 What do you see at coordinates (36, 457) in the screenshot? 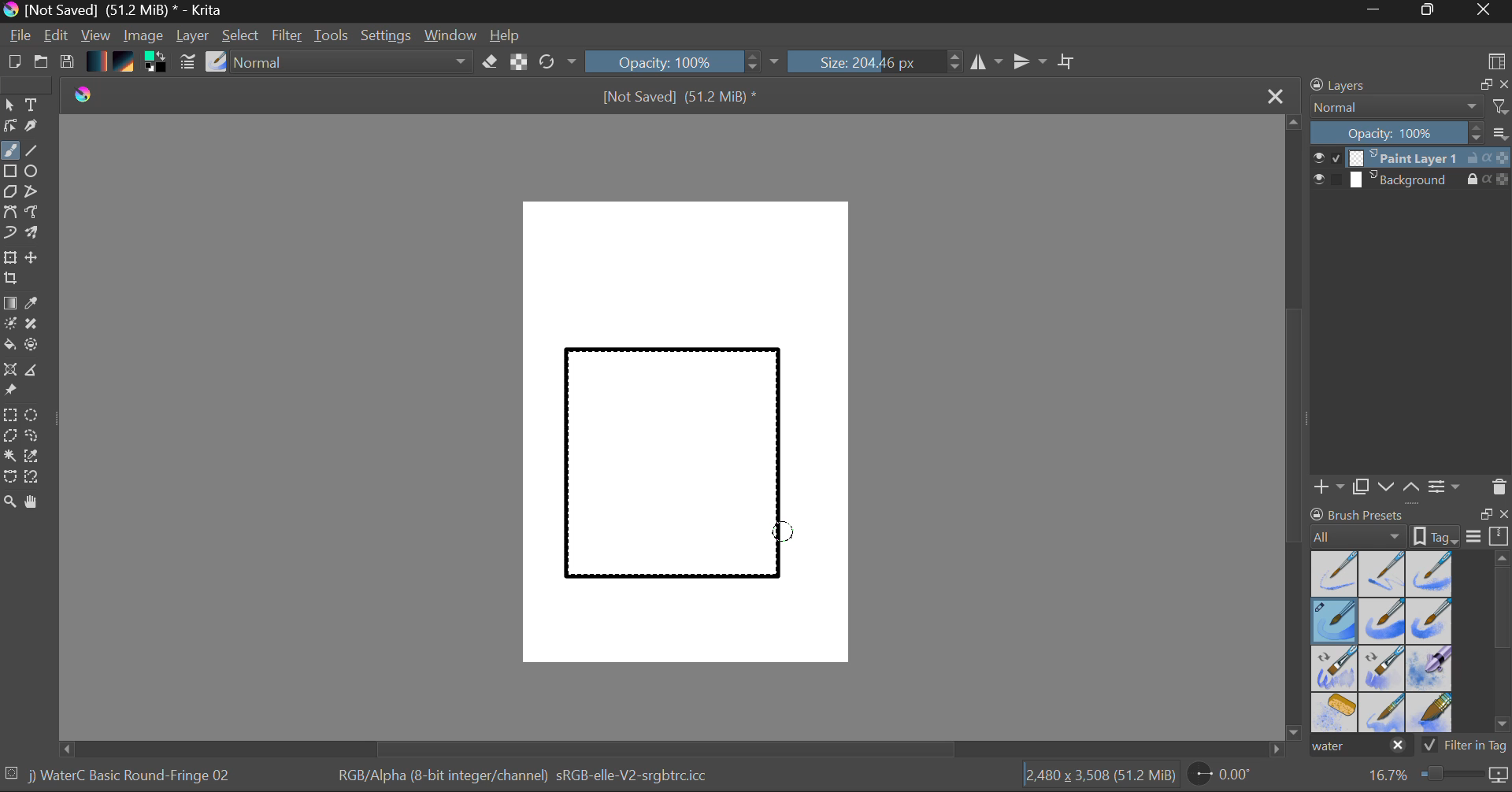
I see `Similar Color Selector` at bounding box center [36, 457].